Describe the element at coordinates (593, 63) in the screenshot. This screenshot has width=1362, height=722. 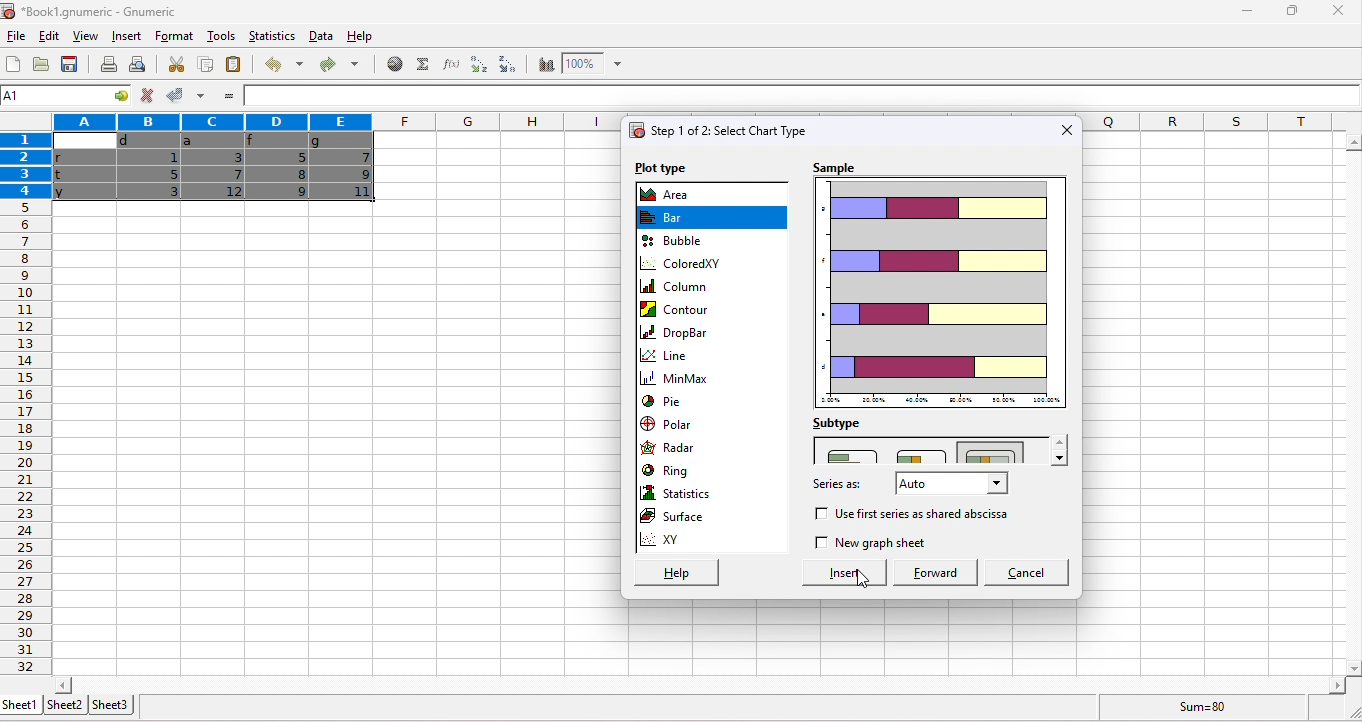
I see `zoom` at that location.